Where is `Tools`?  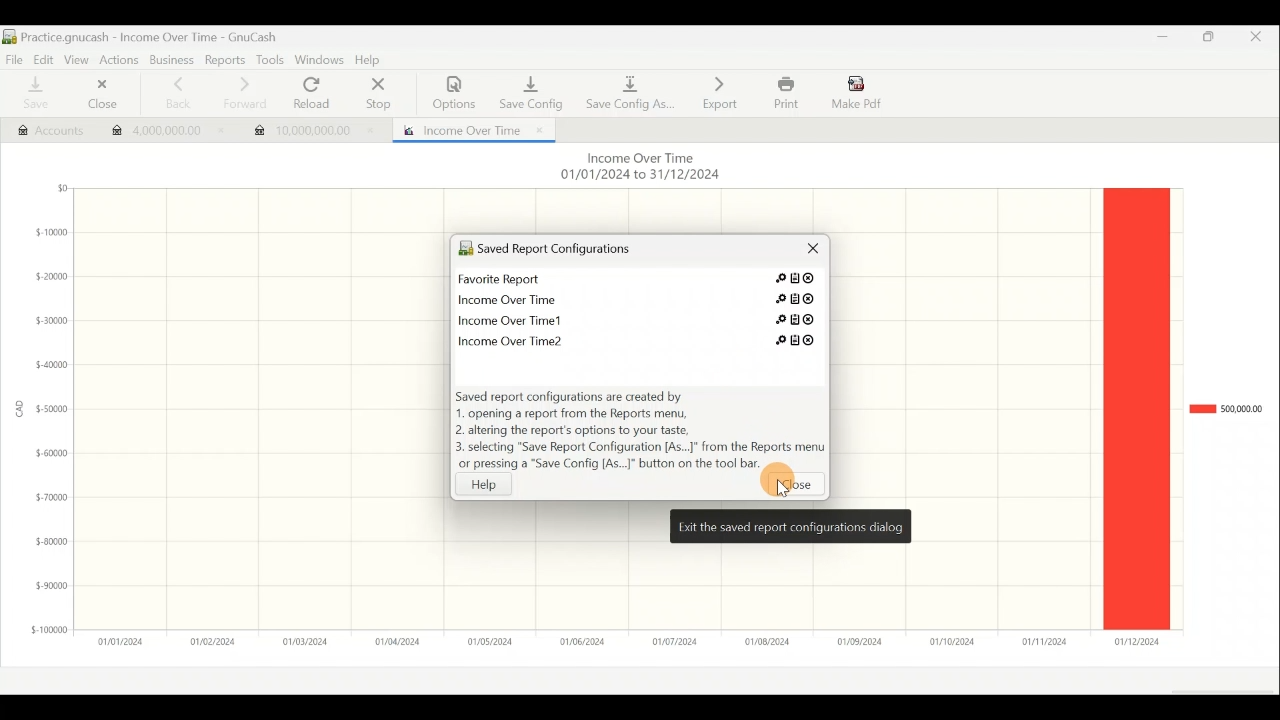 Tools is located at coordinates (269, 60).